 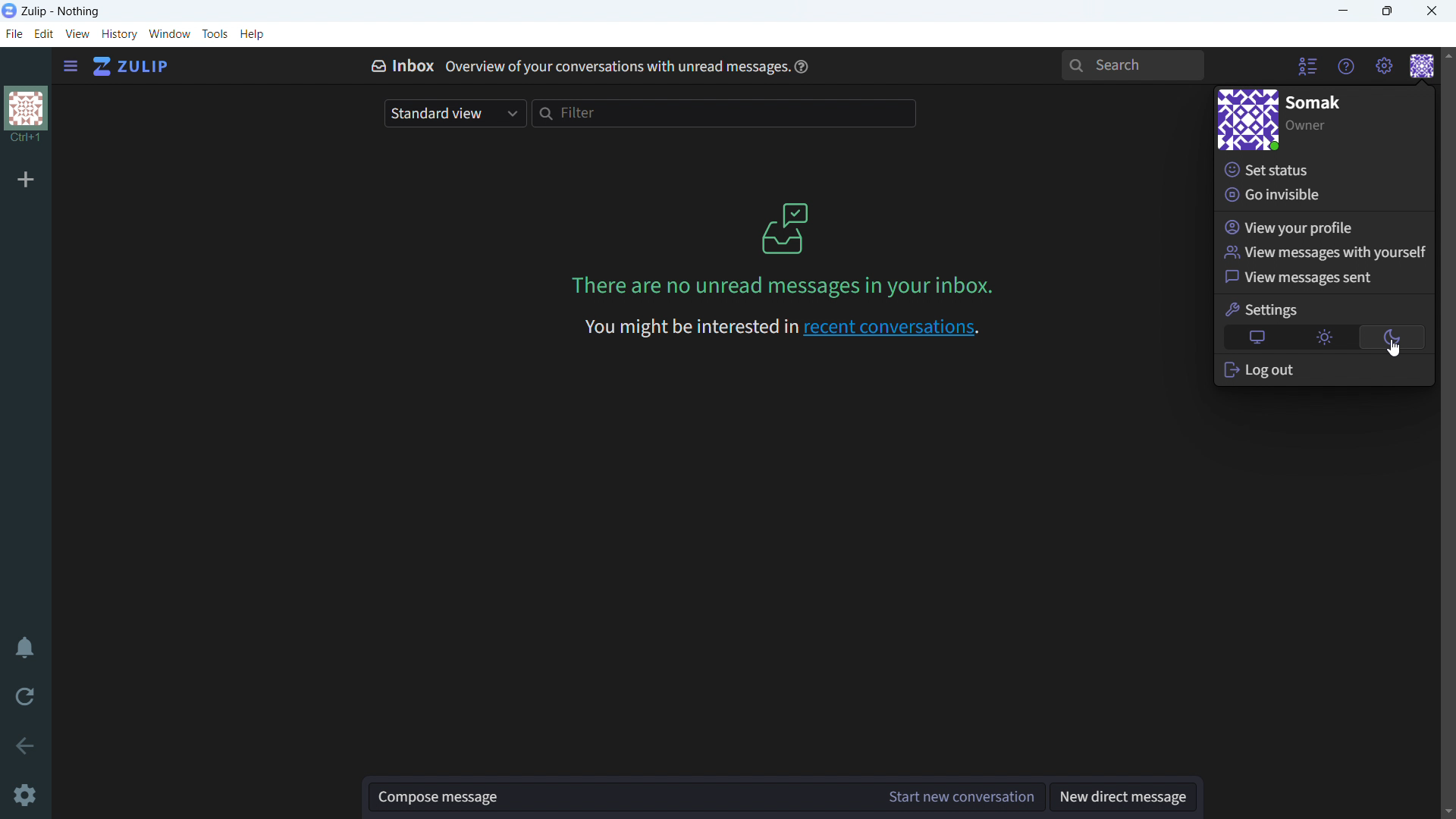 What do you see at coordinates (27, 115) in the screenshot?
I see `organization` at bounding box center [27, 115].